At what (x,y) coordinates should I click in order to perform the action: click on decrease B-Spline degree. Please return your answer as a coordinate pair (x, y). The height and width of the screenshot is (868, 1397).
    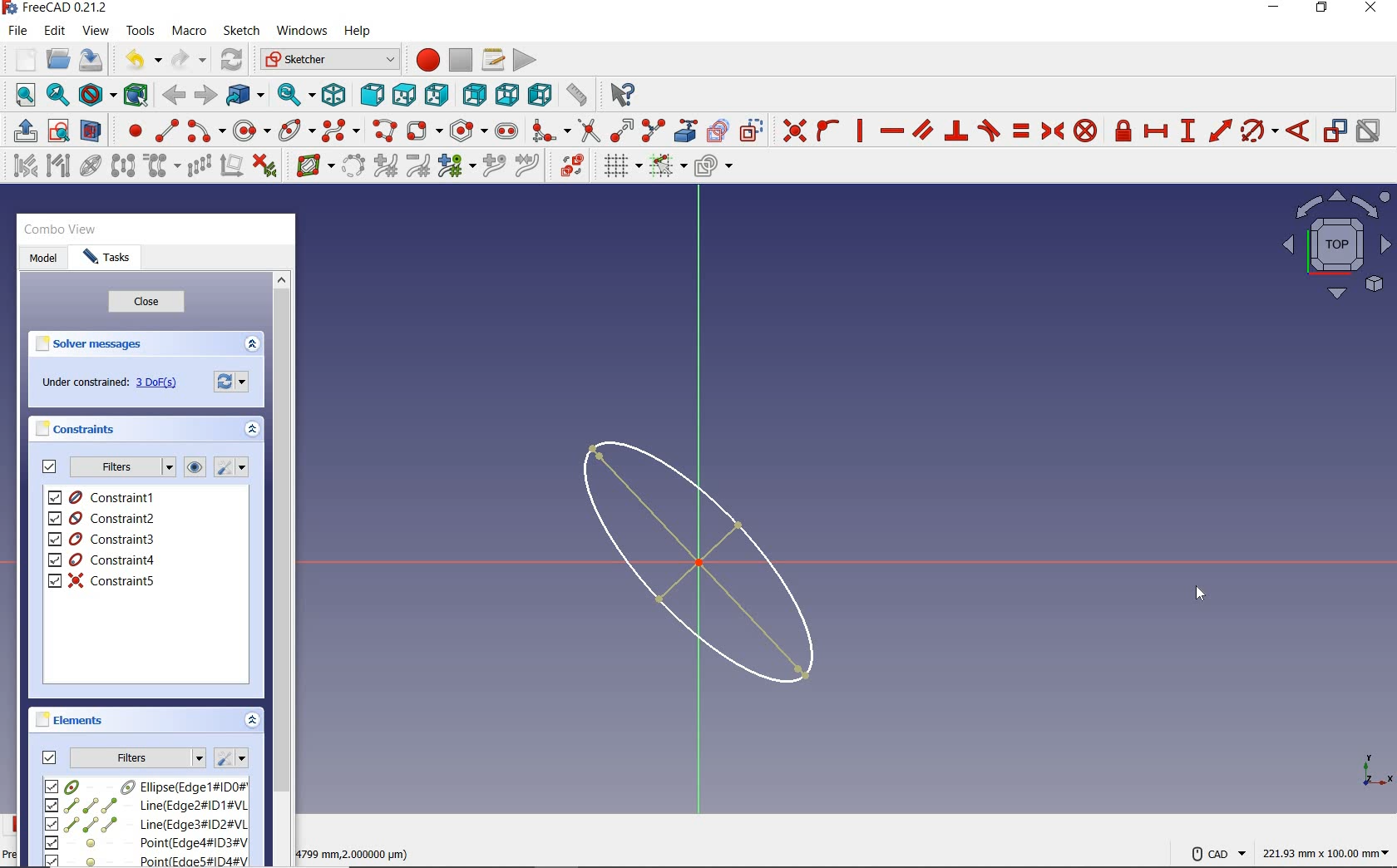
    Looking at the image, I should click on (417, 165).